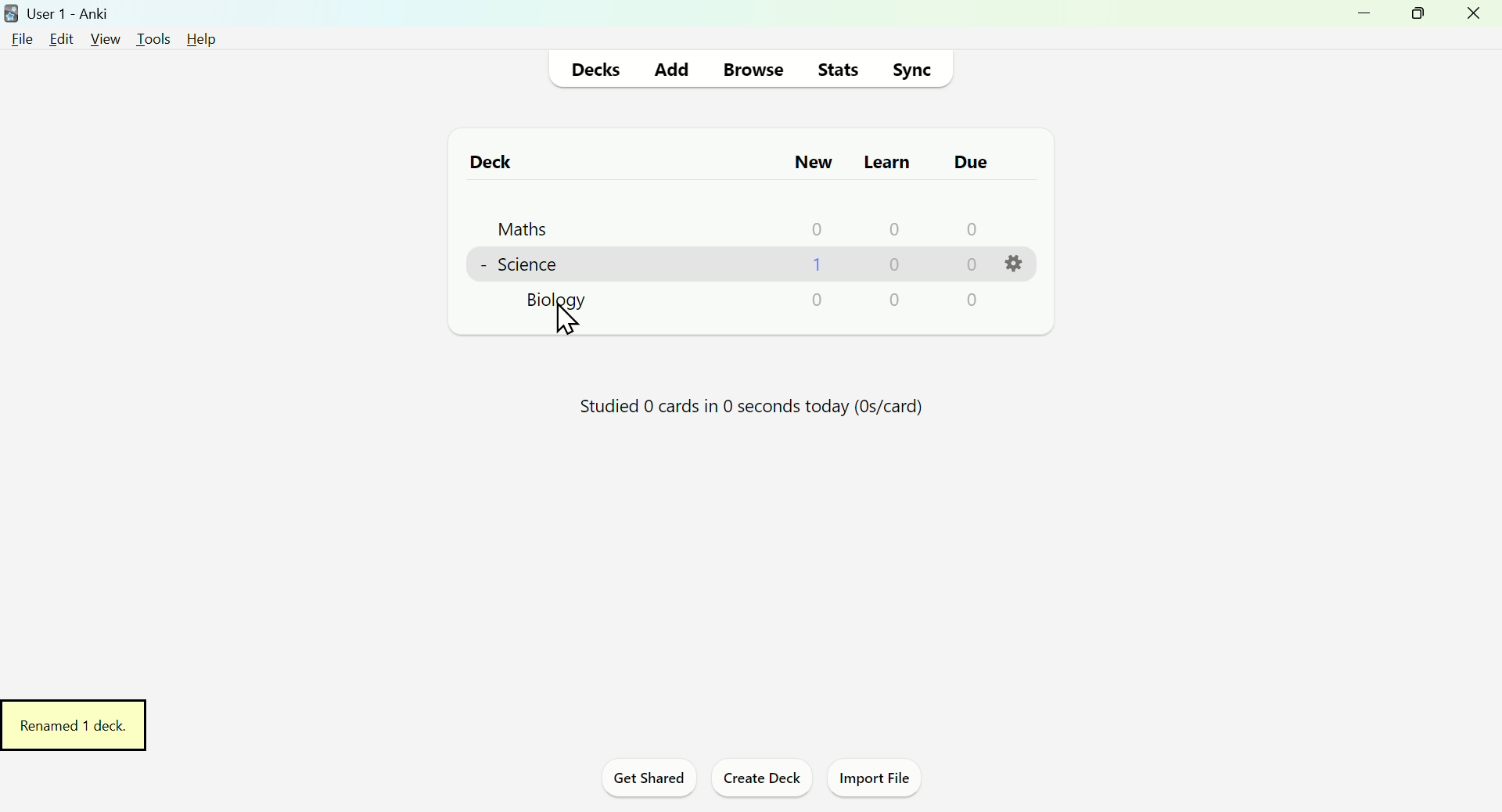 The height and width of the screenshot is (812, 1502). I want to click on , so click(1418, 16).